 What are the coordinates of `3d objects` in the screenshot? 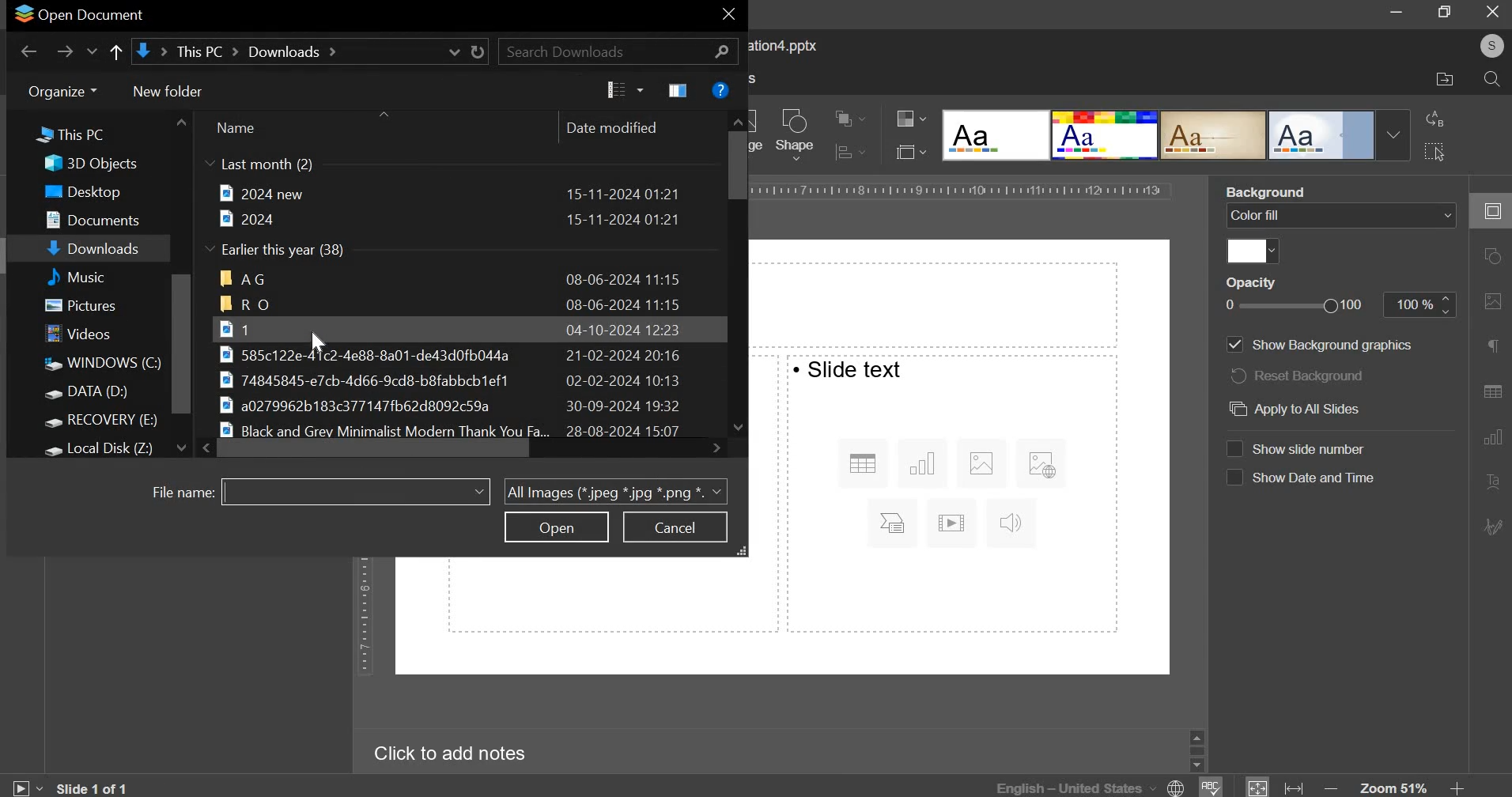 It's located at (96, 164).